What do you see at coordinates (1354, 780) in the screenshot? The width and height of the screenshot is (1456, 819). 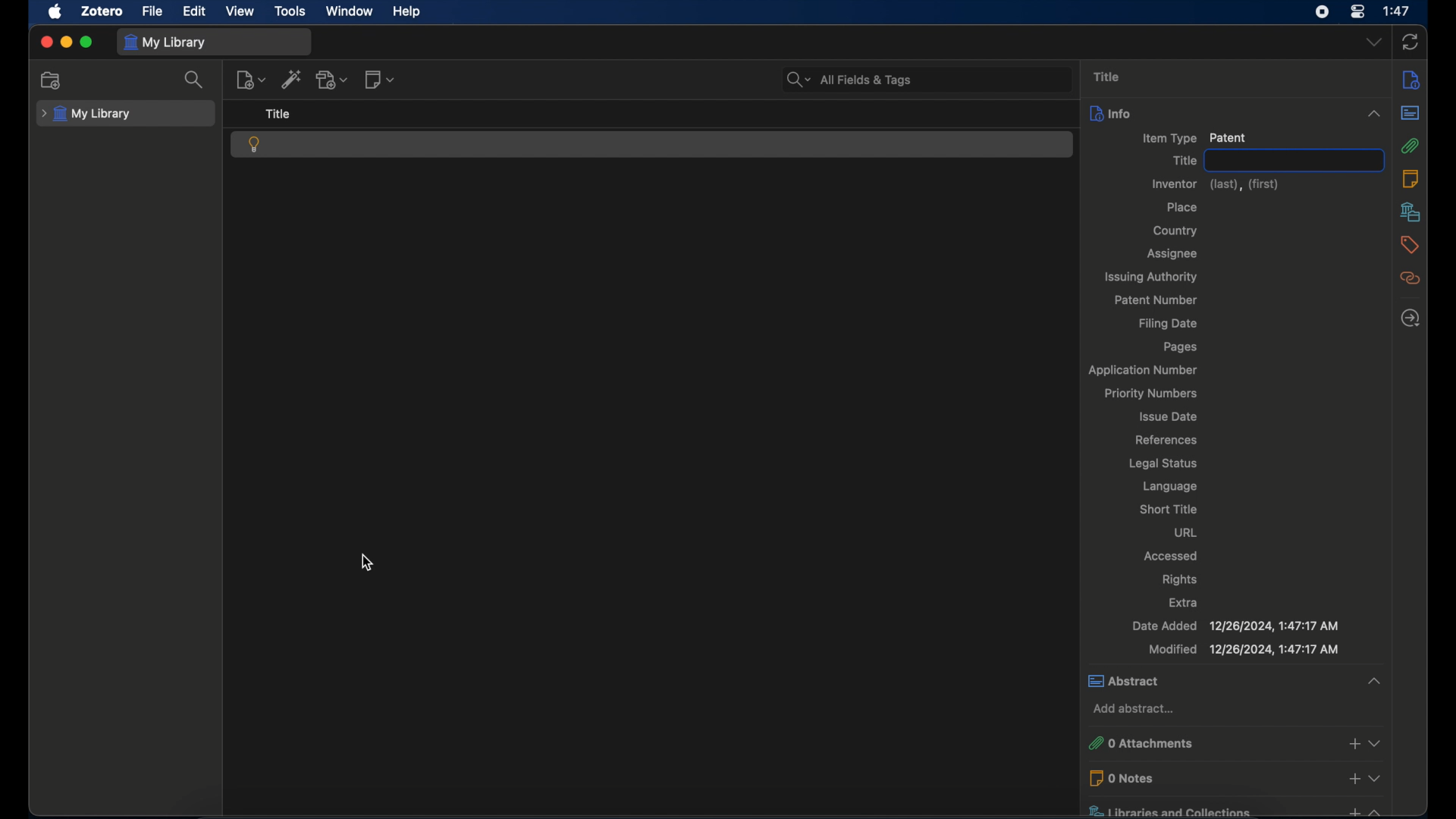 I see `add` at bounding box center [1354, 780].